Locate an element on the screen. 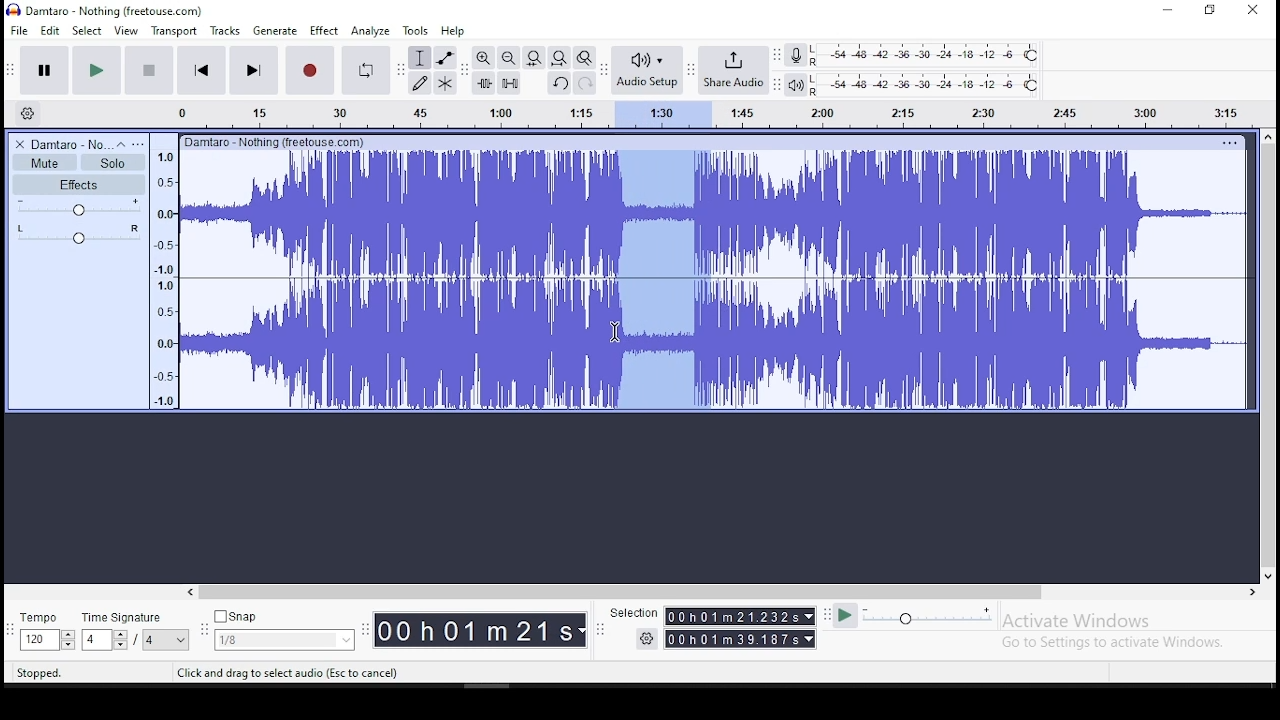  solo is located at coordinates (113, 163).